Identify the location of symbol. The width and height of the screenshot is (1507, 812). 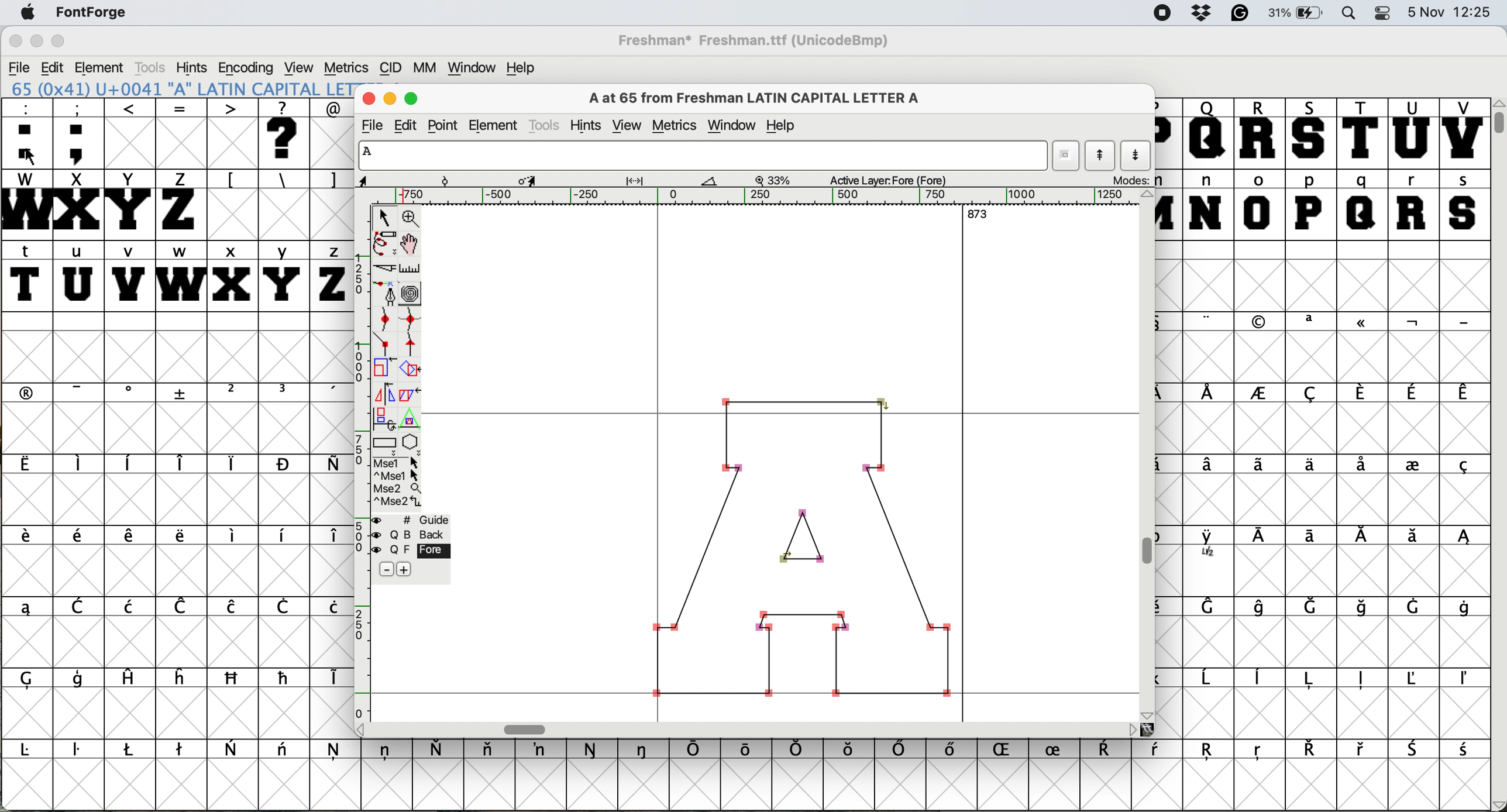
(1413, 463).